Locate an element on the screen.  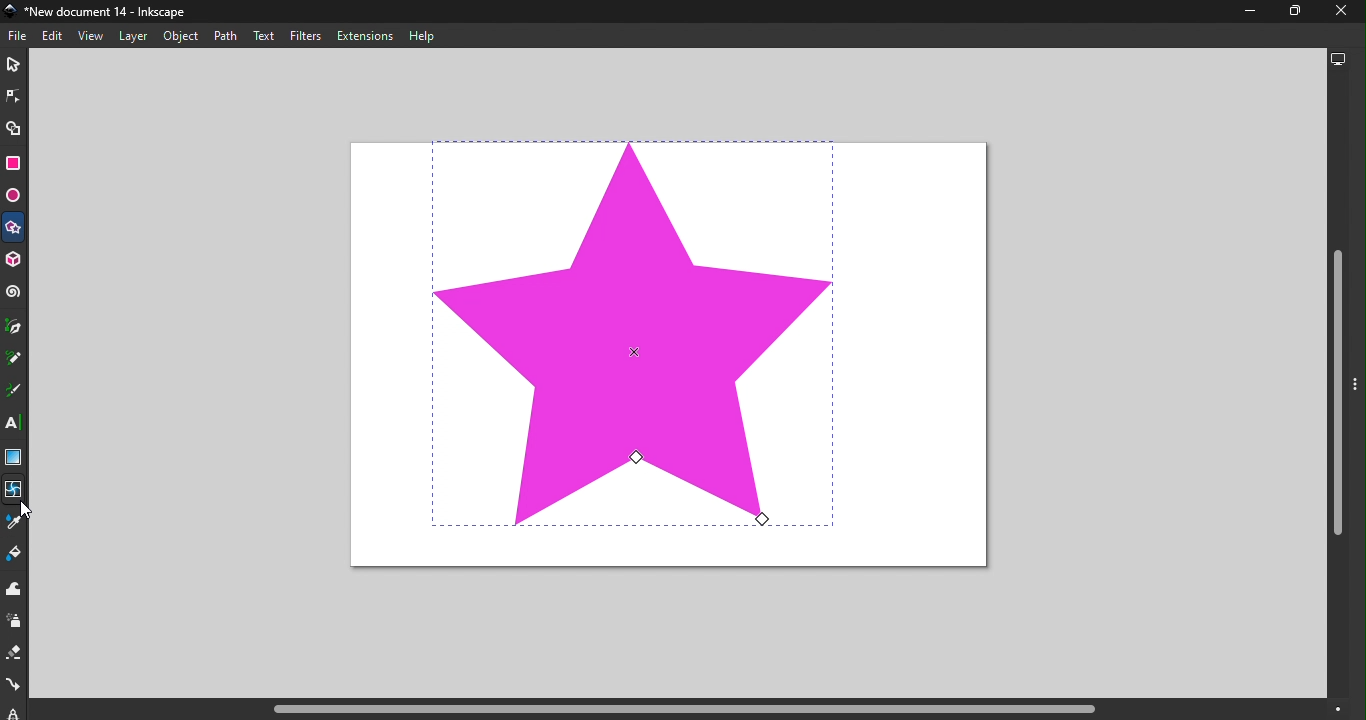
Horizontal scroll bar is located at coordinates (705, 709).